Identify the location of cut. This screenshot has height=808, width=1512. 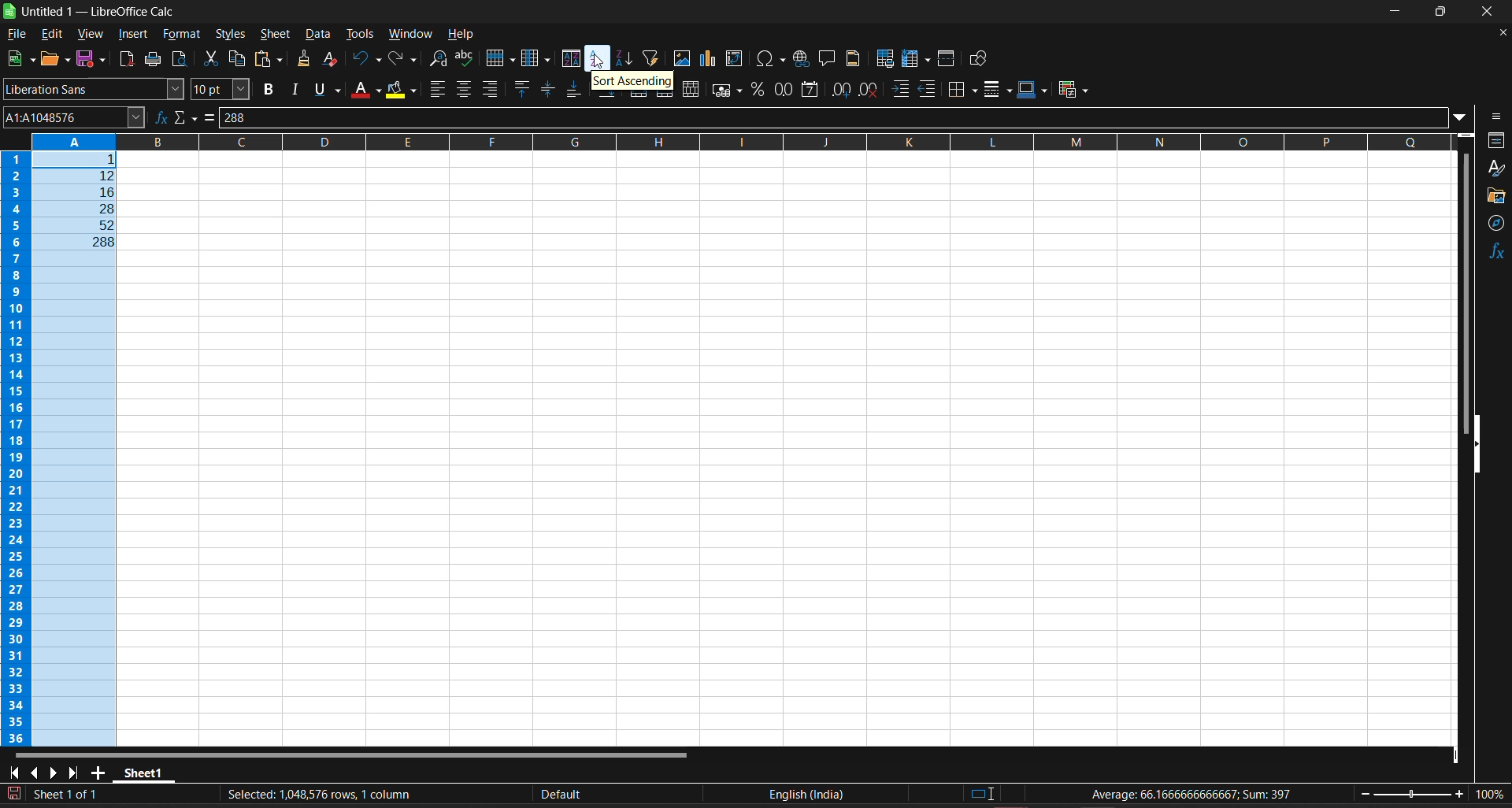
(209, 59).